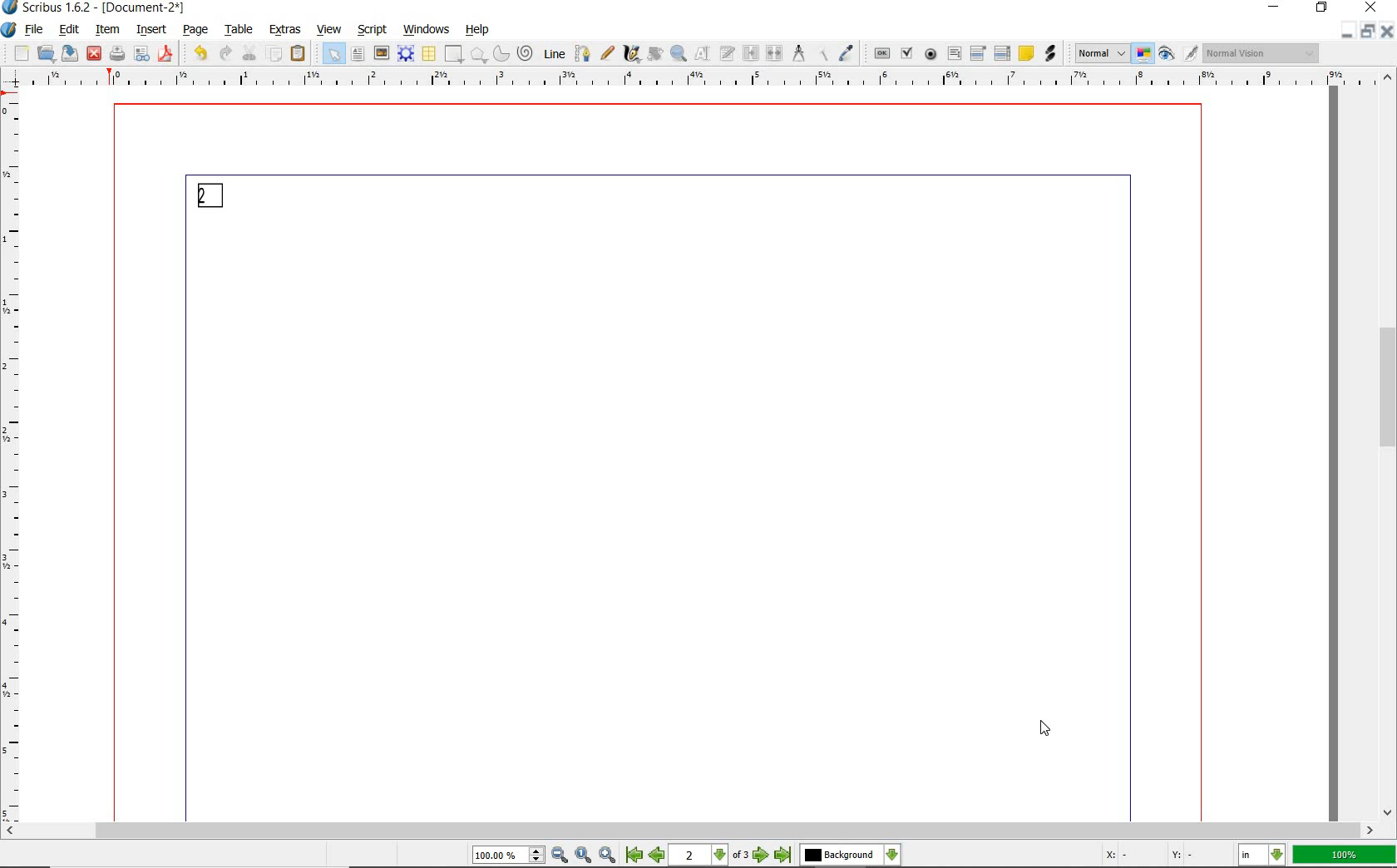 The height and width of the screenshot is (868, 1397). What do you see at coordinates (883, 54) in the screenshot?
I see `pdf push button` at bounding box center [883, 54].